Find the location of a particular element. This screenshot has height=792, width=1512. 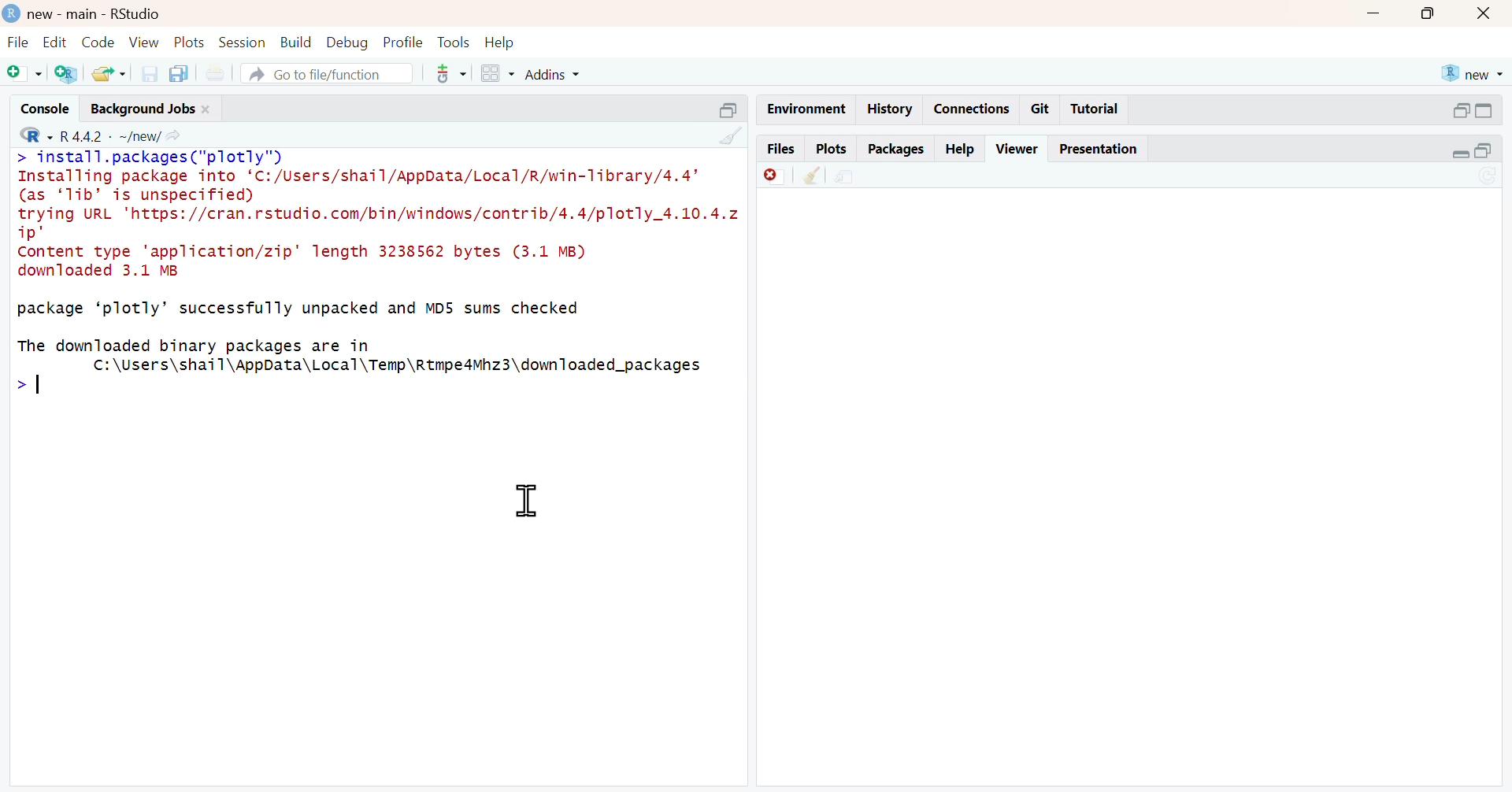

cursor is located at coordinates (524, 504).